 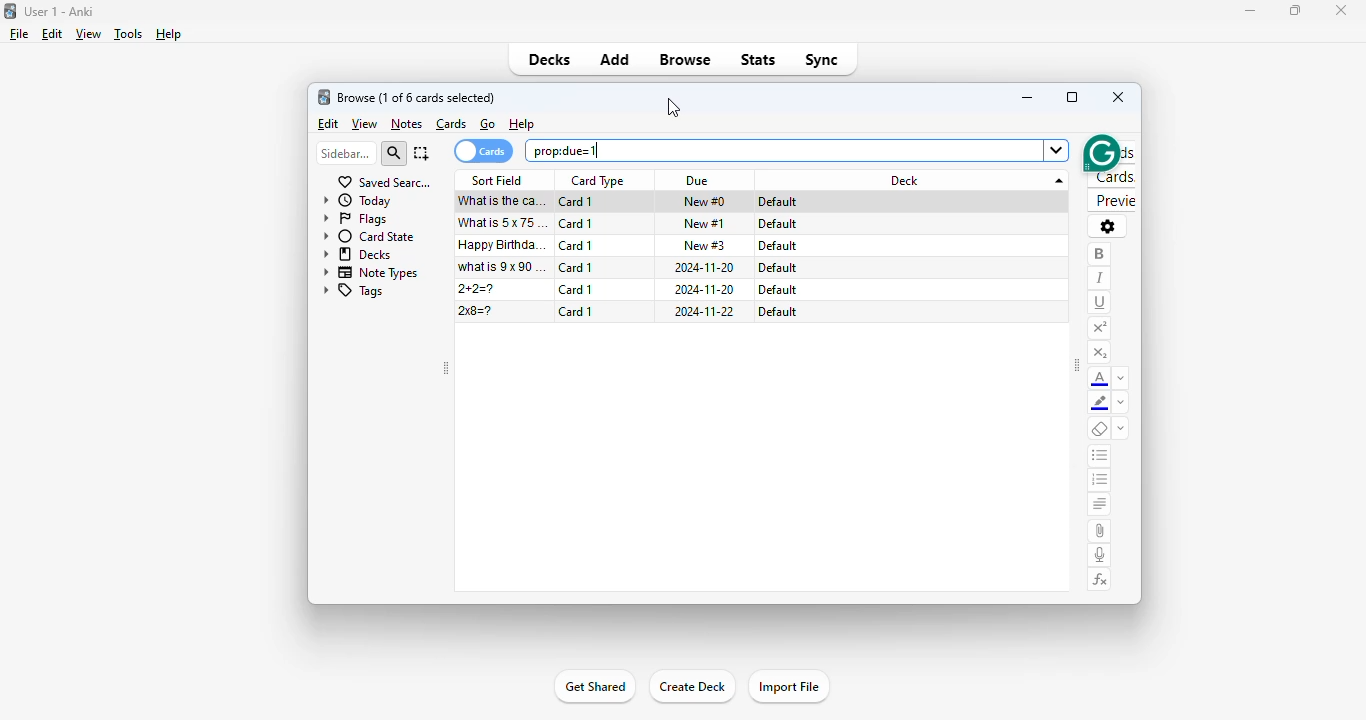 What do you see at coordinates (20, 34) in the screenshot?
I see `file` at bounding box center [20, 34].